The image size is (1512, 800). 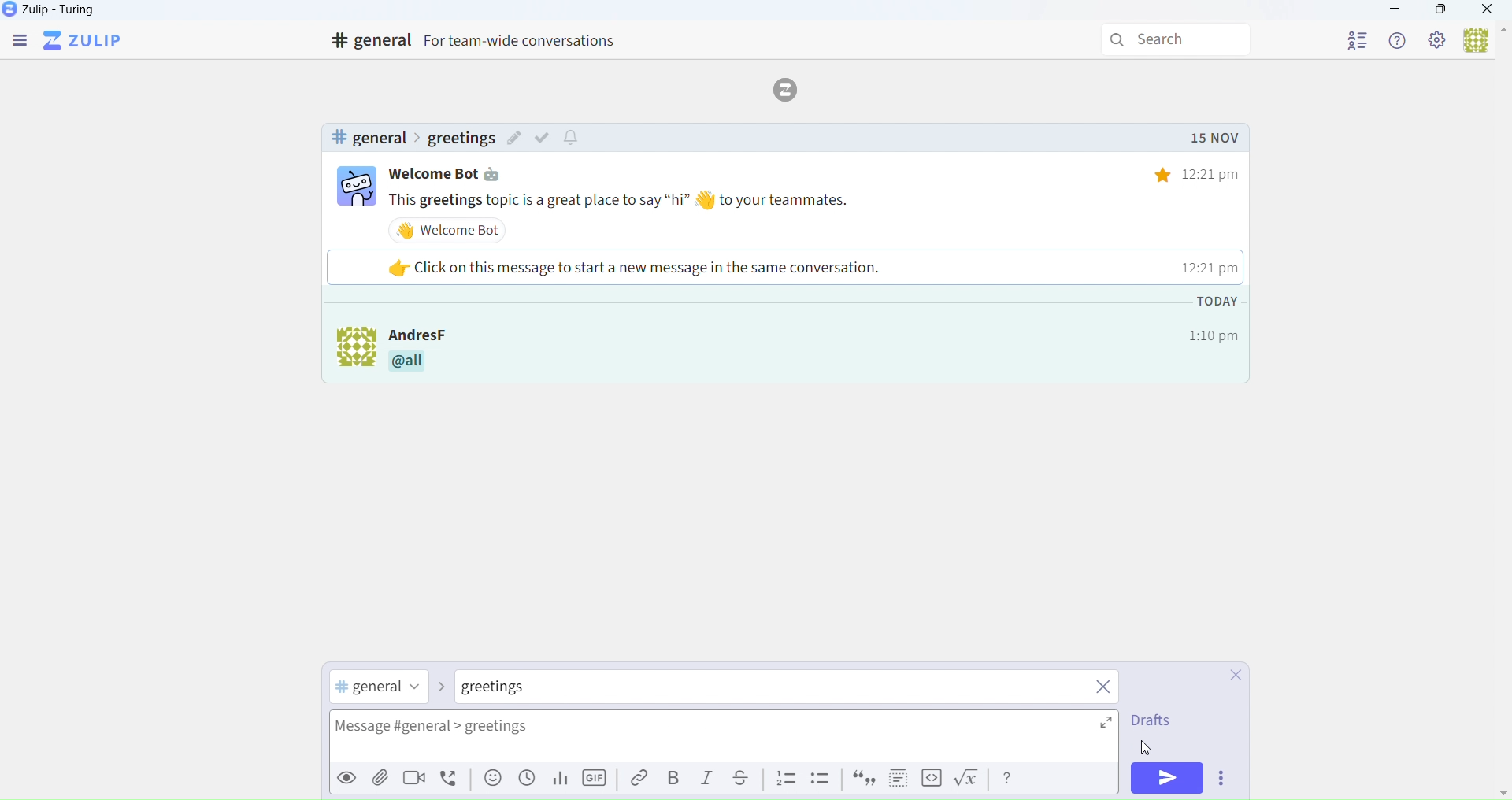 What do you see at coordinates (1211, 318) in the screenshot?
I see `date and time` at bounding box center [1211, 318].